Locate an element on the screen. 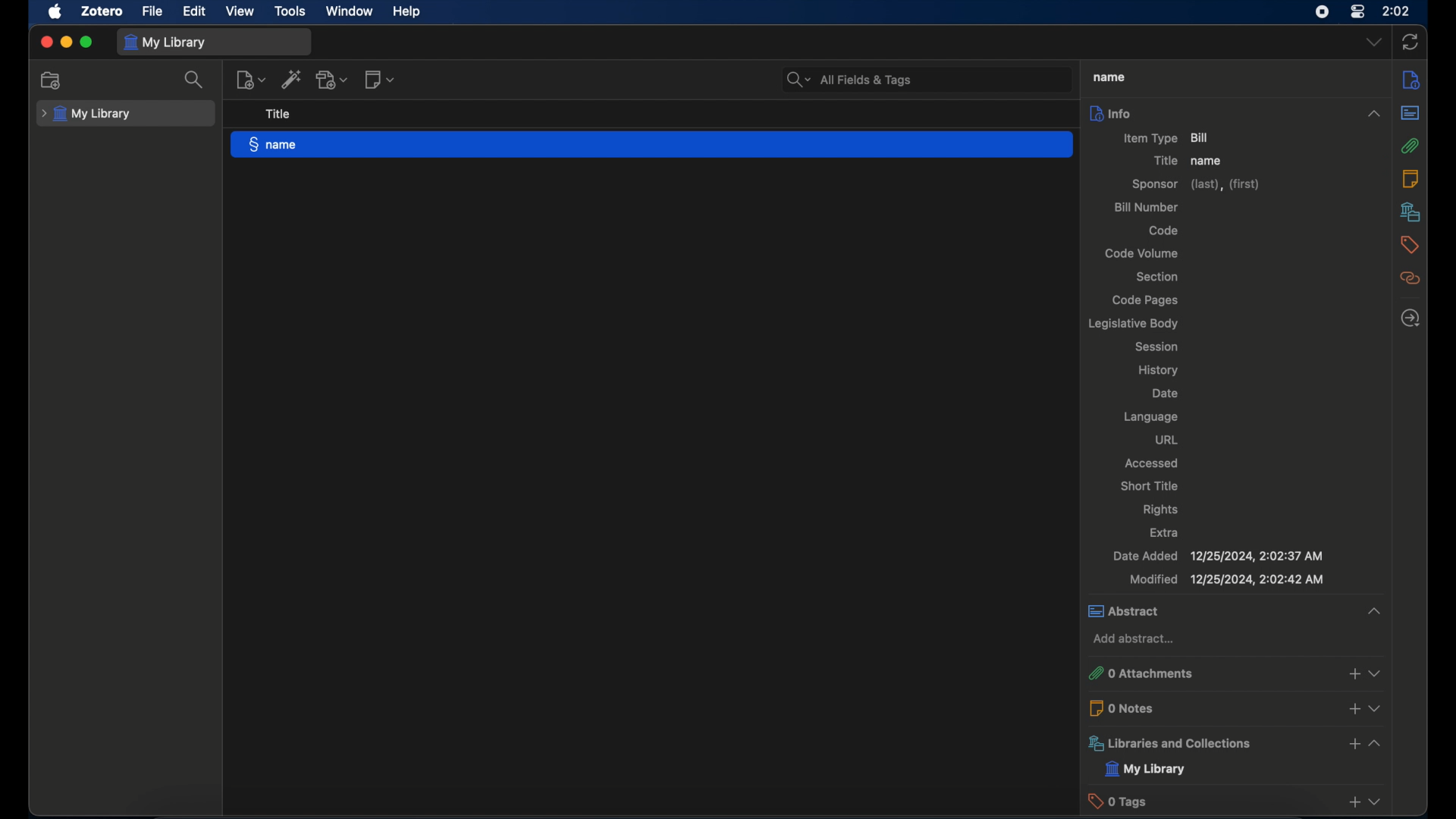  2.02 is located at coordinates (1397, 10).